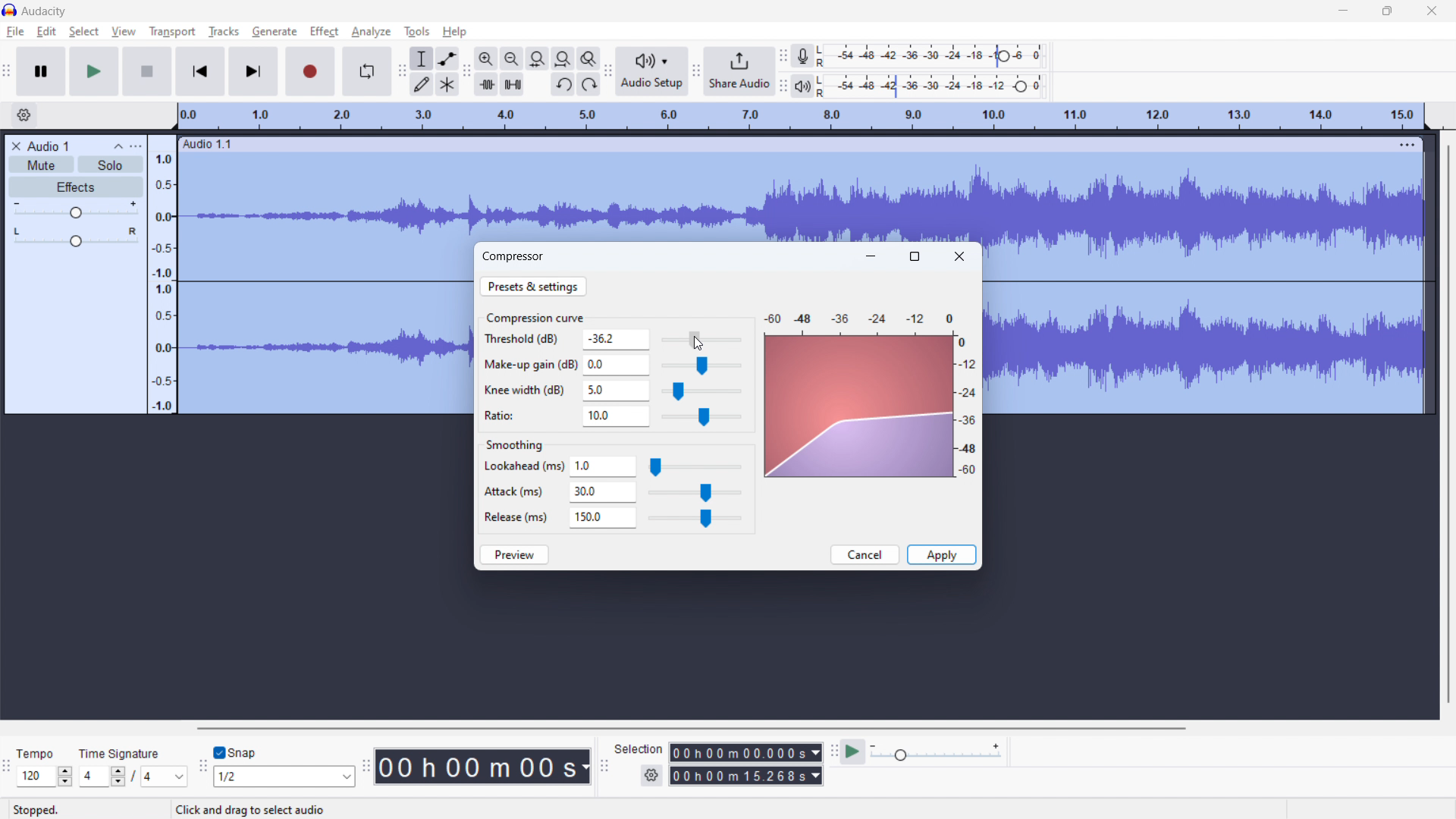 The height and width of the screenshot is (819, 1456). Describe the element at coordinates (522, 442) in the screenshot. I see ` Soothing` at that location.